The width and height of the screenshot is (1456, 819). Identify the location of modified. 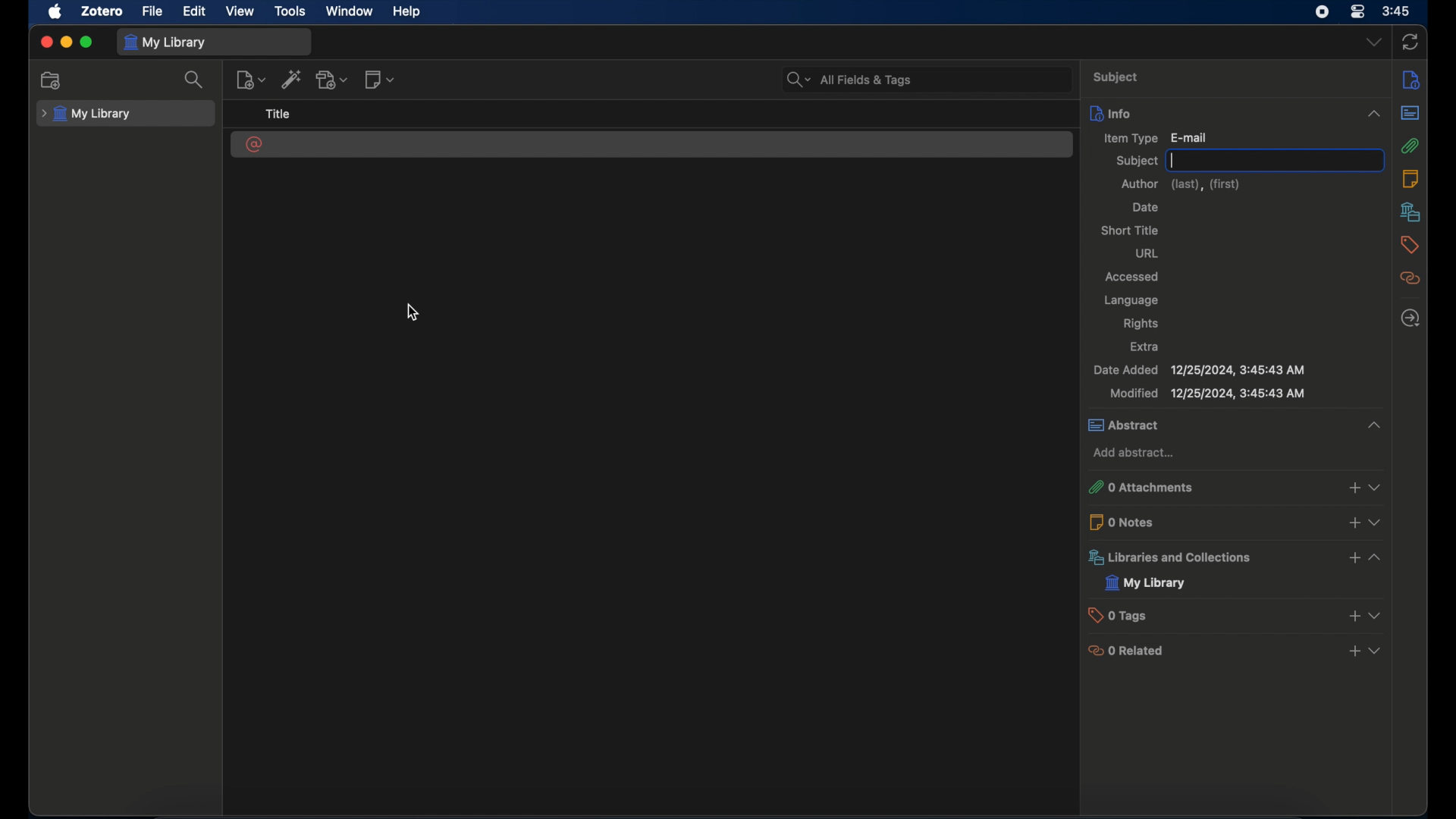
(1207, 394).